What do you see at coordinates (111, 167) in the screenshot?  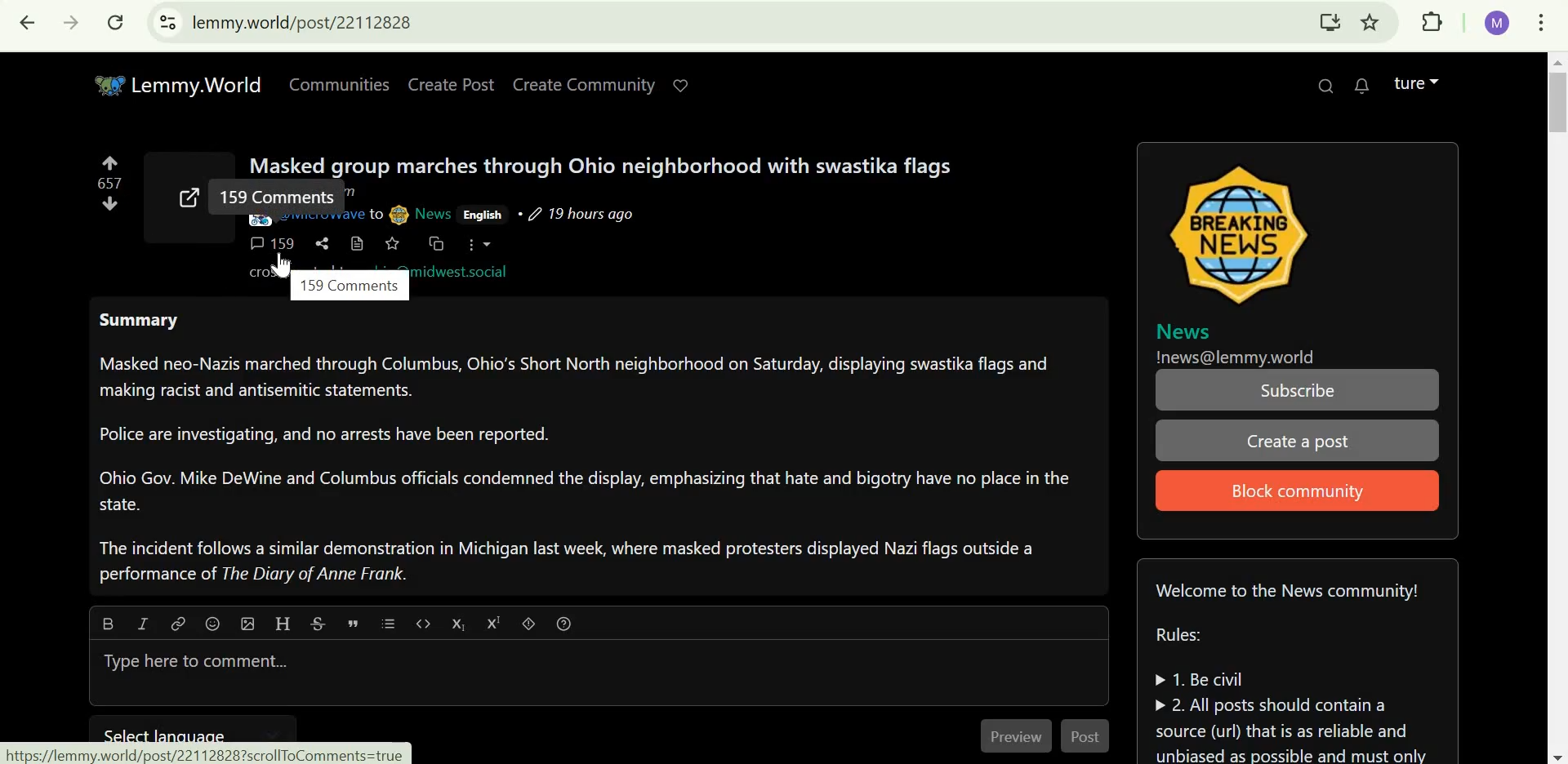 I see `upvote` at bounding box center [111, 167].